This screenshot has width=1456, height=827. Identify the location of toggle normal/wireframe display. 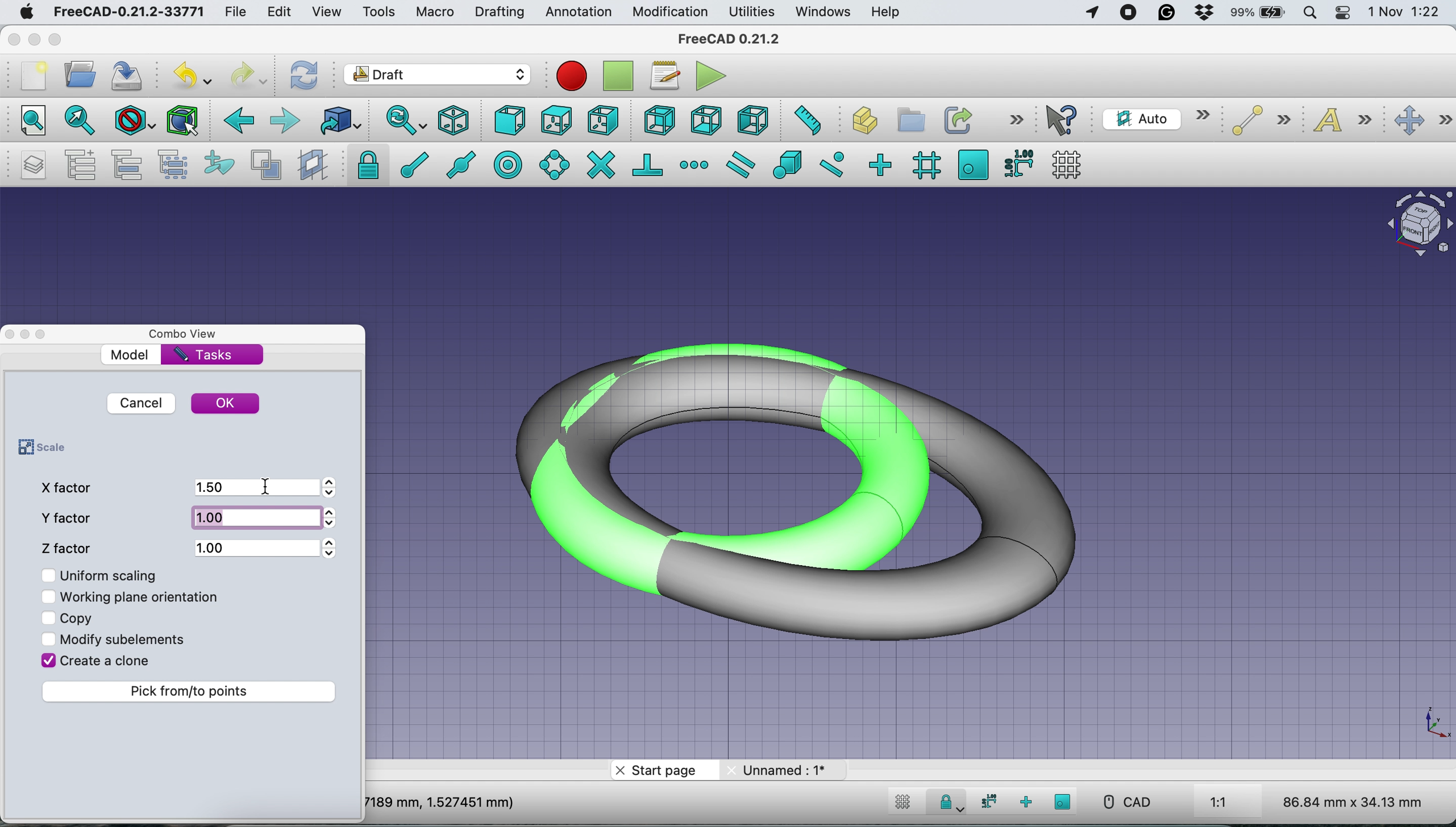
(265, 165).